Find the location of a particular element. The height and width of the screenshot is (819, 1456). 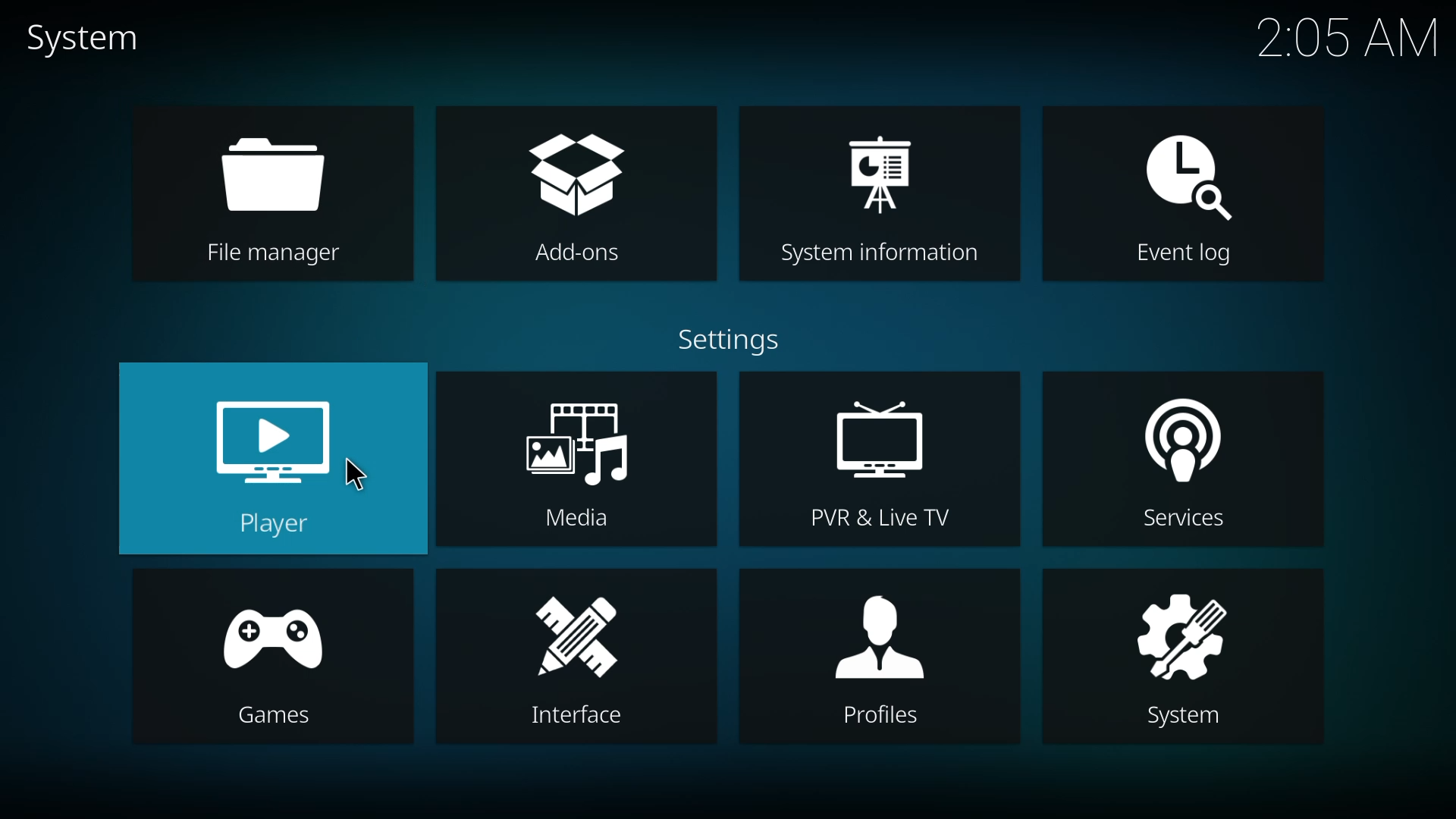

time is located at coordinates (1348, 35).